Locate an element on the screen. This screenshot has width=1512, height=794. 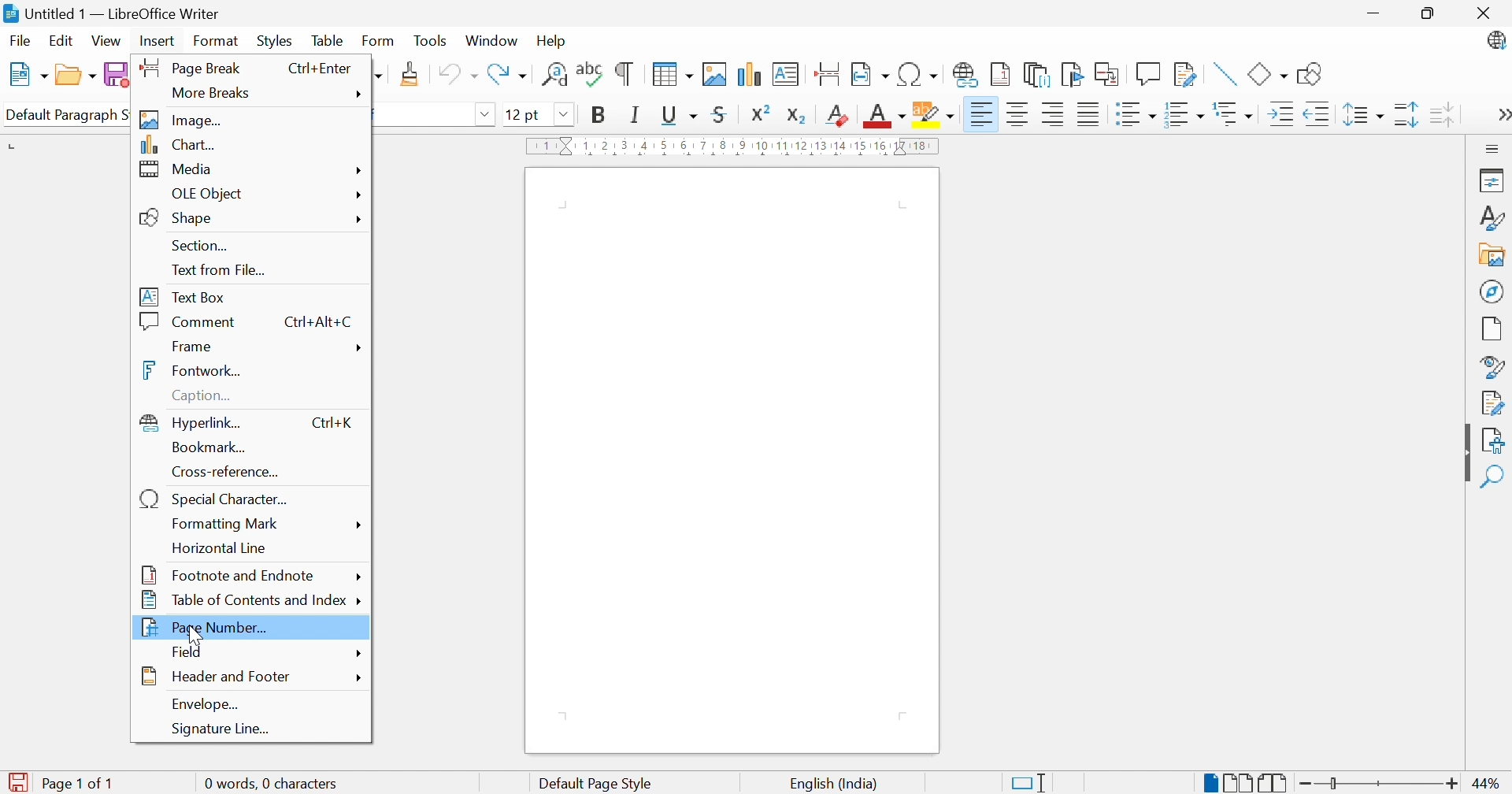
Italic is located at coordinates (632, 114).